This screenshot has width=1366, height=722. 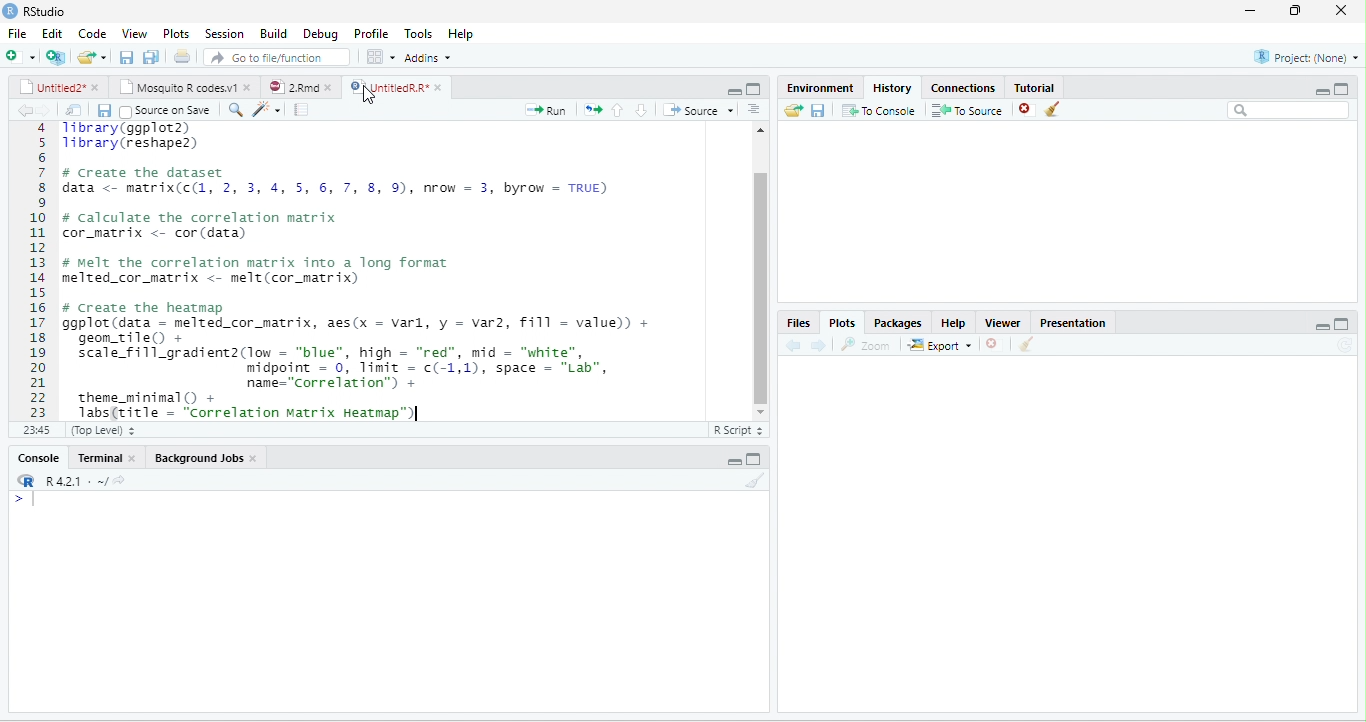 What do you see at coordinates (869, 345) in the screenshot?
I see `zoom` at bounding box center [869, 345].